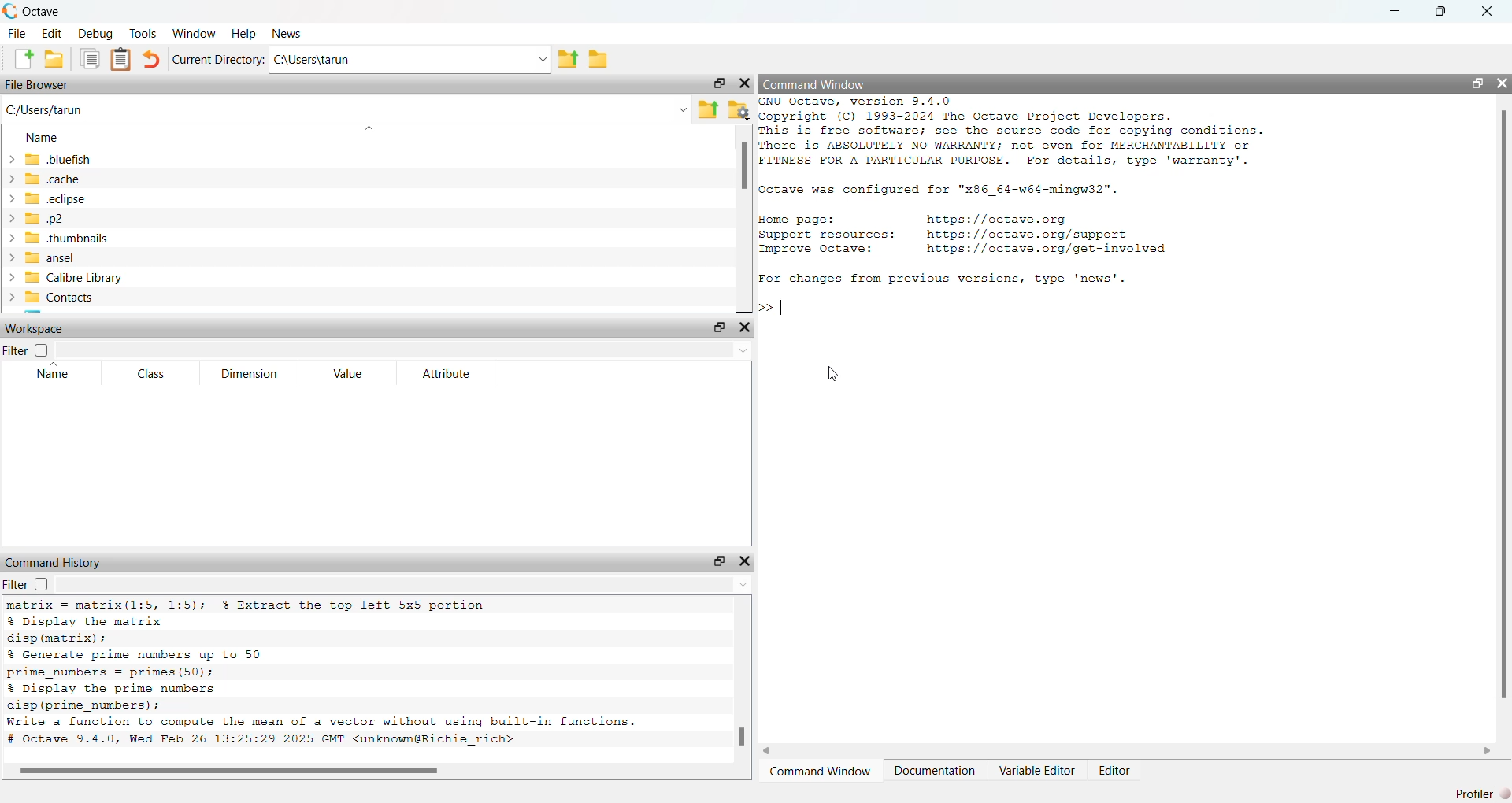 The image size is (1512, 803). Describe the element at coordinates (817, 83) in the screenshot. I see `‘Command Window` at that location.